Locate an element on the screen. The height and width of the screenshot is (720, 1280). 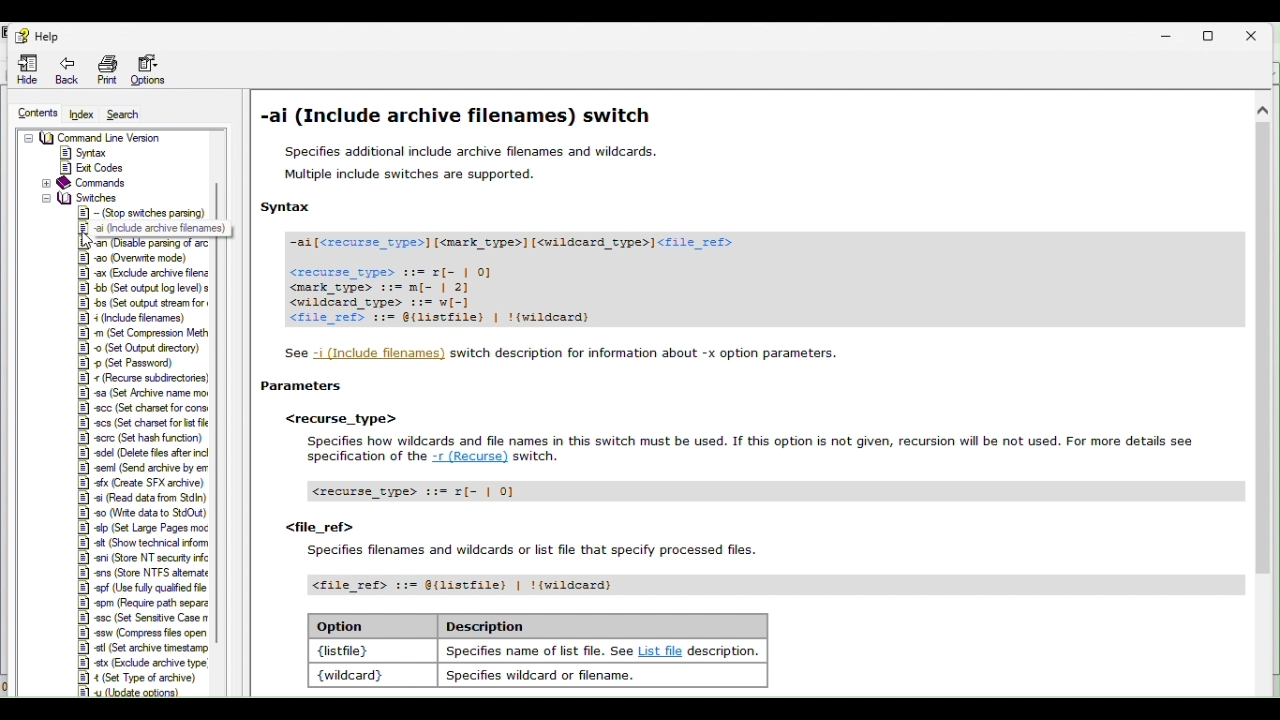
Exit Codes is located at coordinates (96, 168).